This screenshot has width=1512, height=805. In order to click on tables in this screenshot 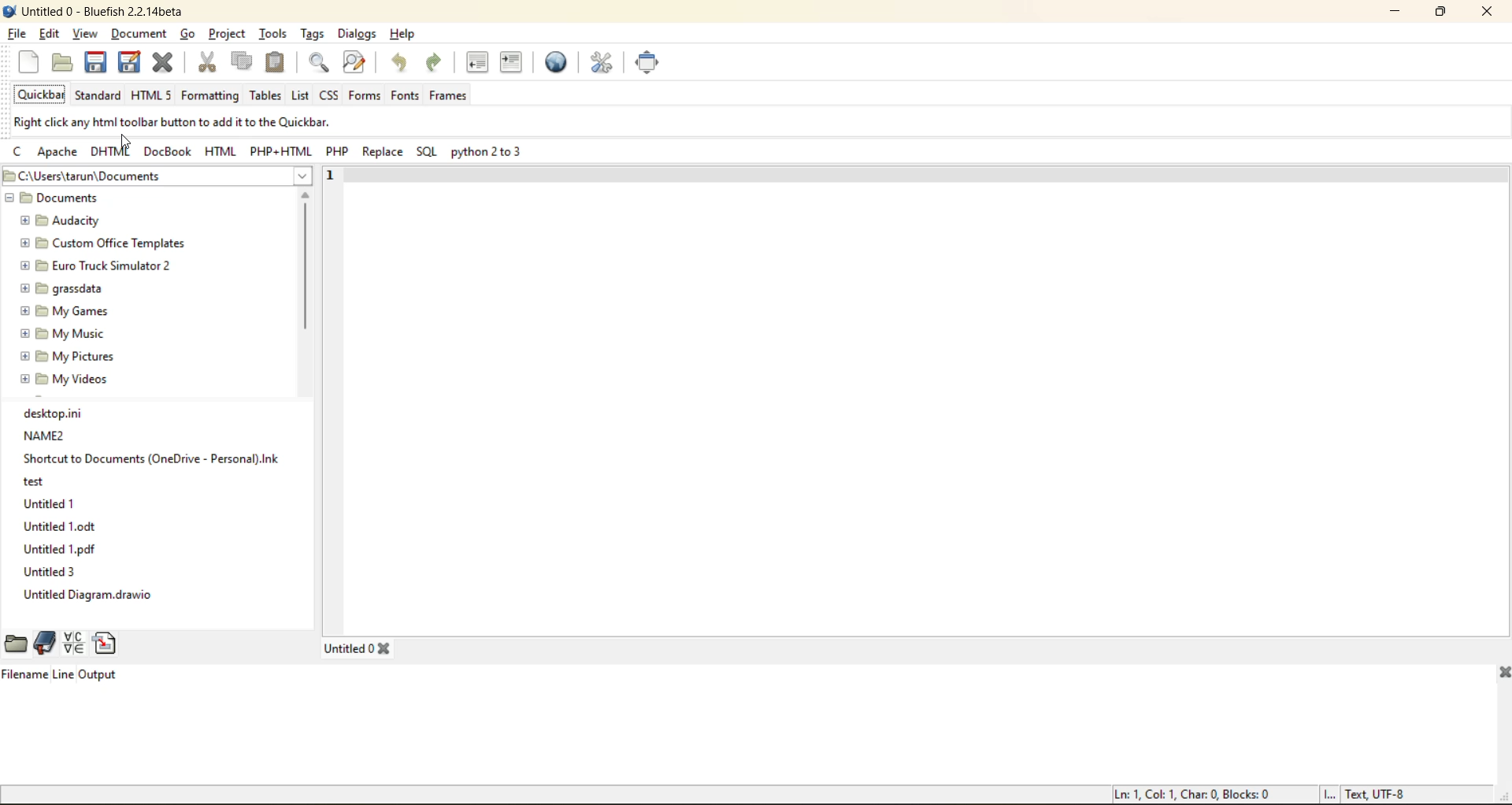, I will do `click(264, 95)`.